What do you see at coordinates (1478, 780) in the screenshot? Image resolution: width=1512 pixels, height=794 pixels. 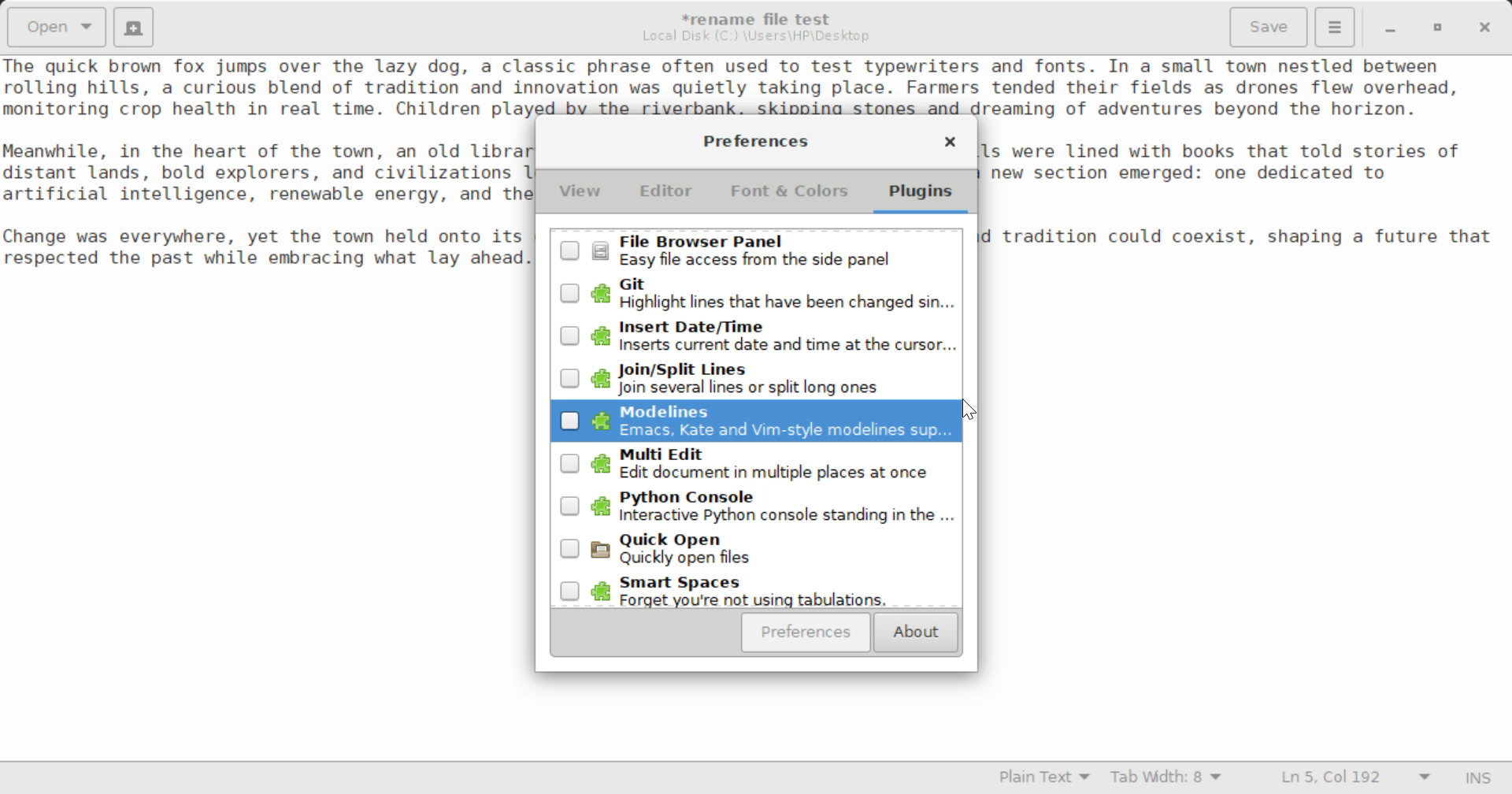 I see `Input Mode` at bounding box center [1478, 780].